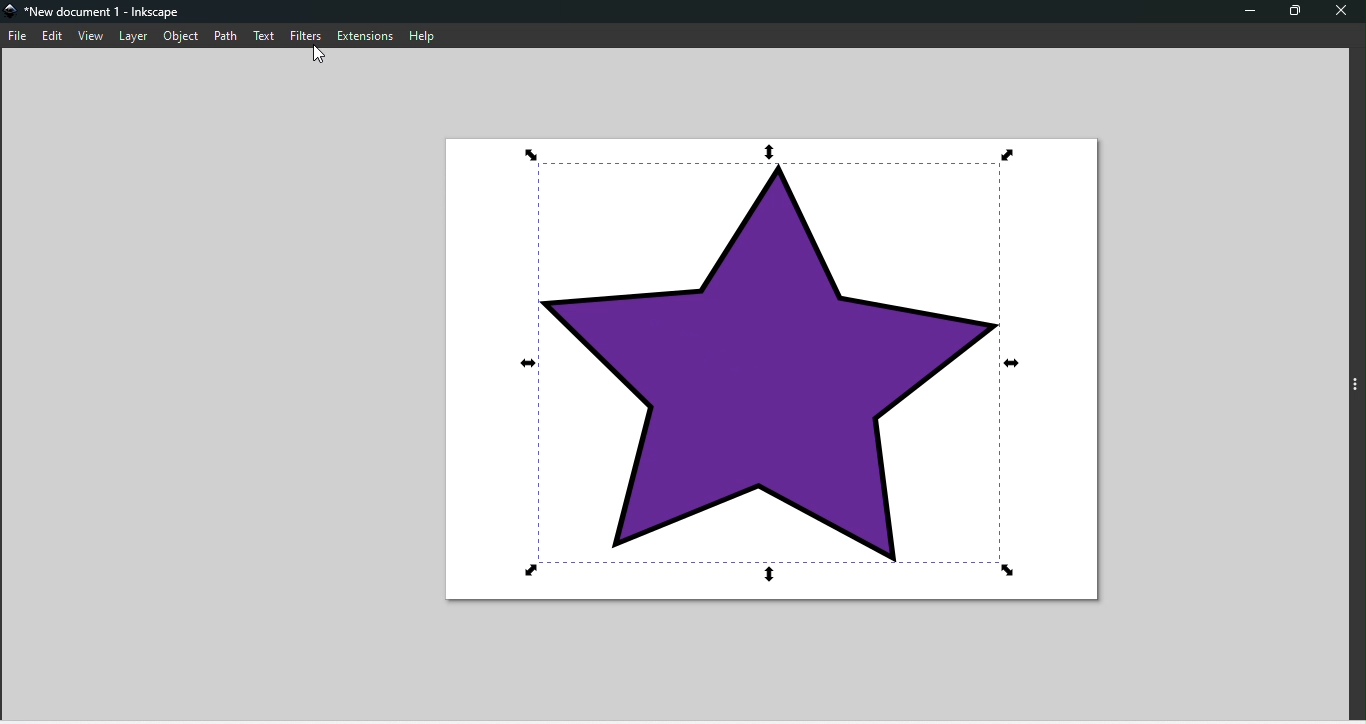 Image resolution: width=1366 pixels, height=724 pixels. I want to click on Layer, so click(136, 37).